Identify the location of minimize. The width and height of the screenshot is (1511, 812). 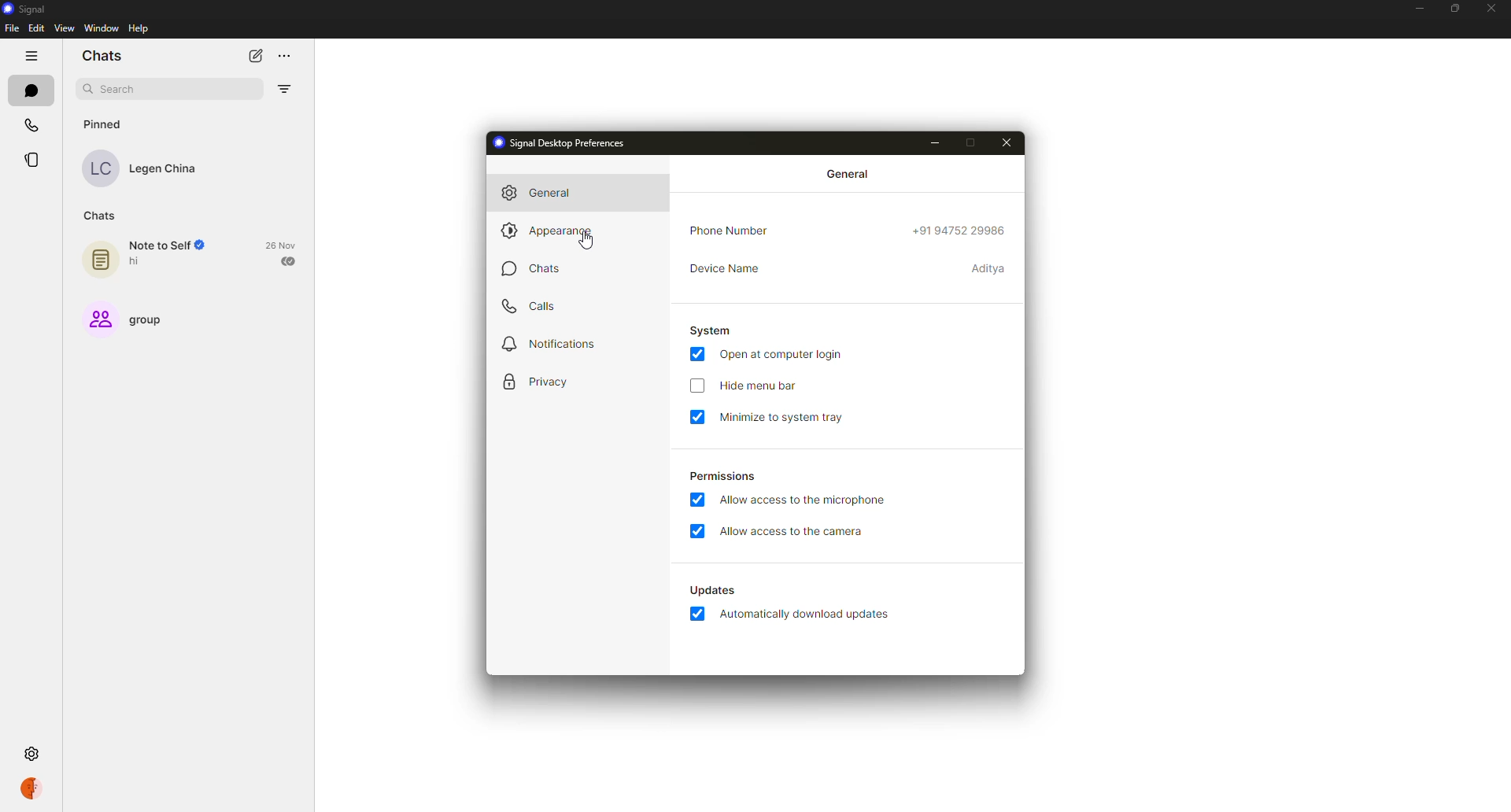
(933, 142).